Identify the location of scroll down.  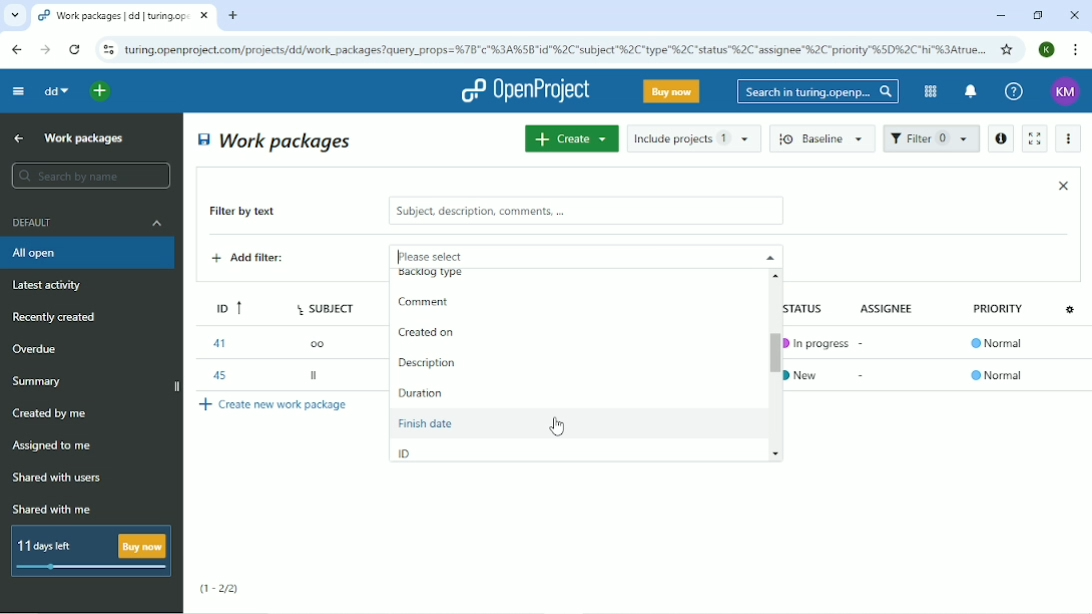
(780, 453).